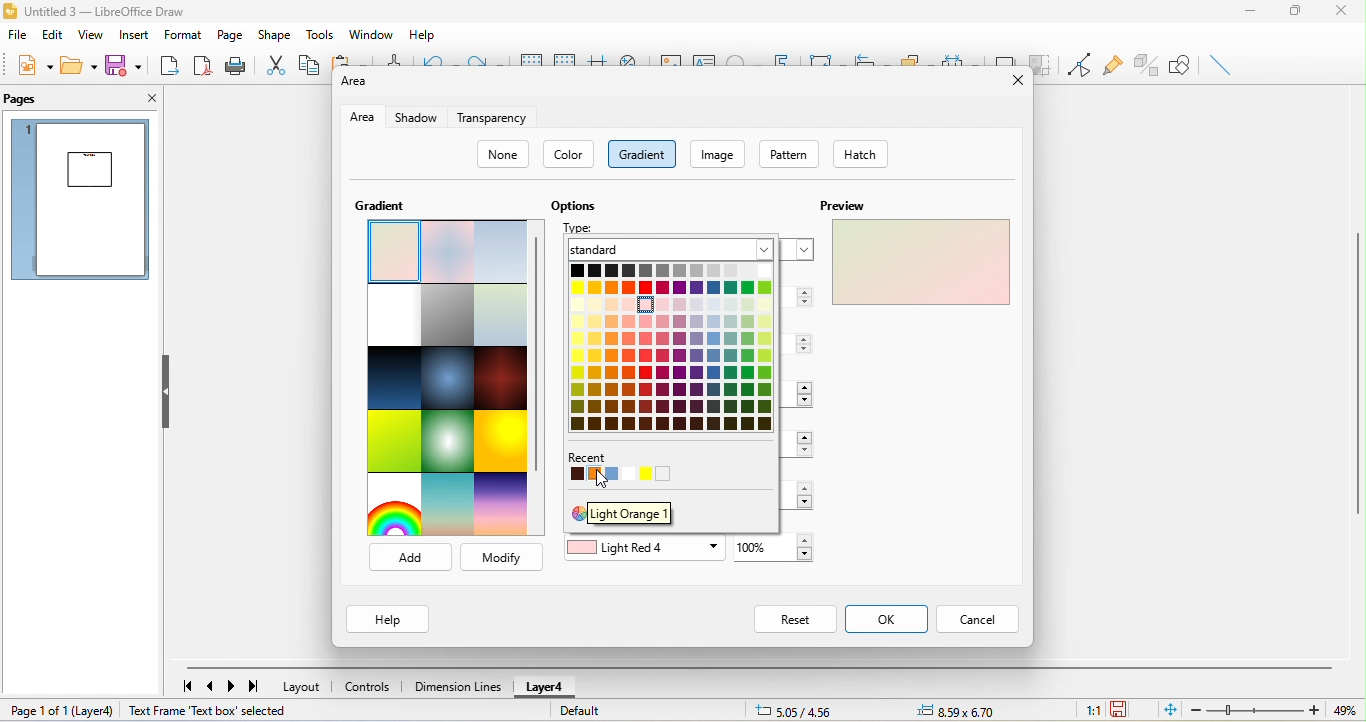  Describe the element at coordinates (606, 714) in the screenshot. I see `default` at that location.